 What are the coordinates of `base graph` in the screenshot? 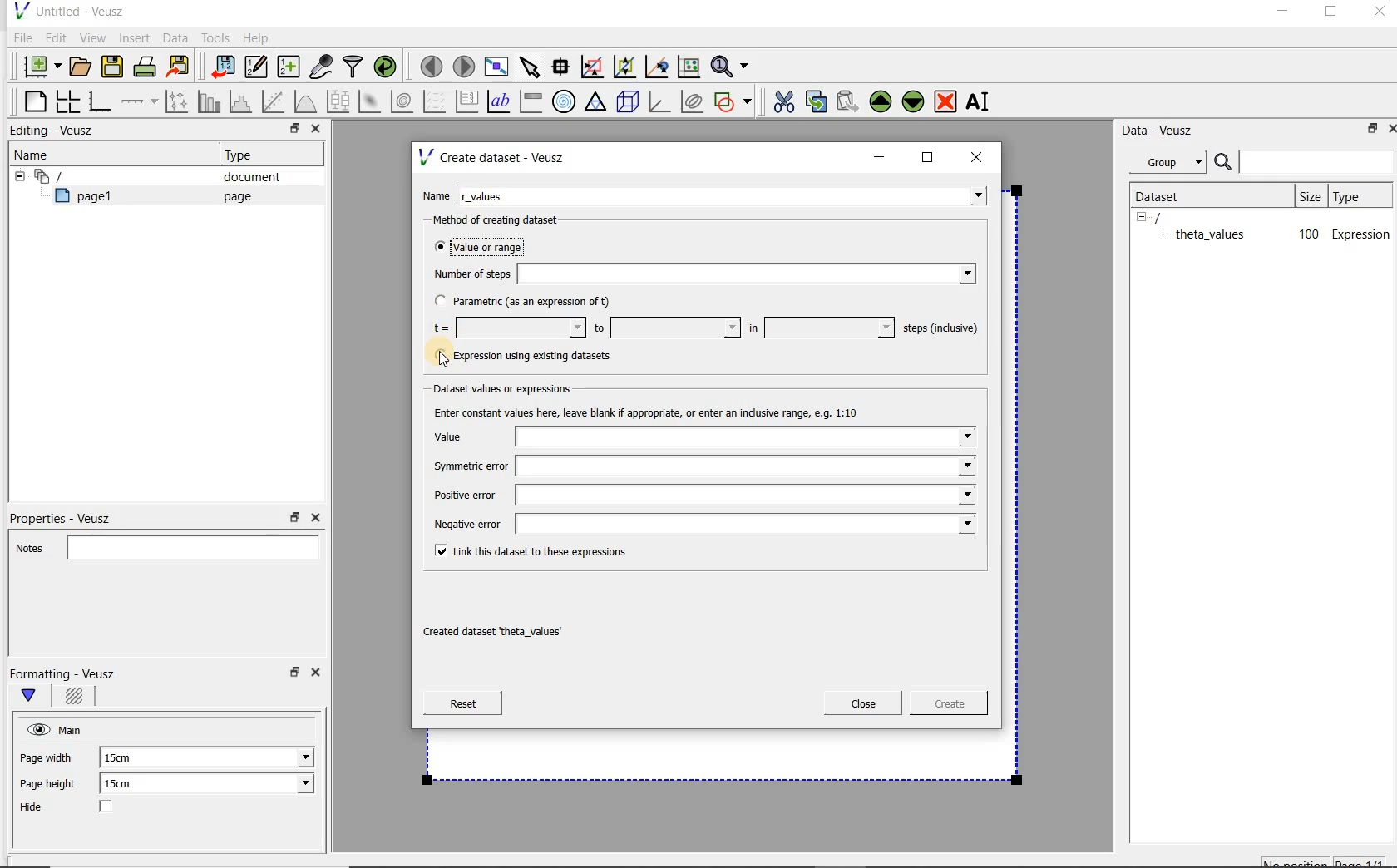 It's located at (99, 102).